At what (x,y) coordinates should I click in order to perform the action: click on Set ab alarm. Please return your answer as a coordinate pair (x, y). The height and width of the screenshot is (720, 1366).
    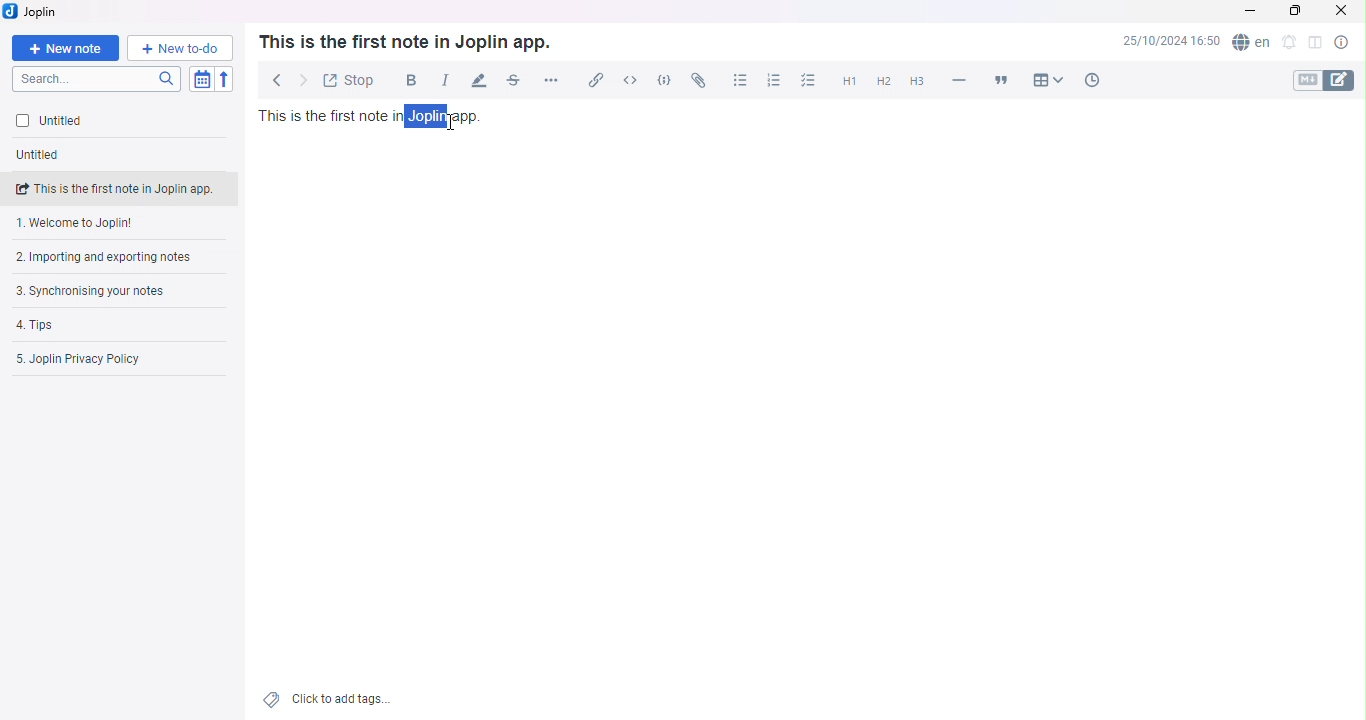
    Looking at the image, I should click on (1288, 44).